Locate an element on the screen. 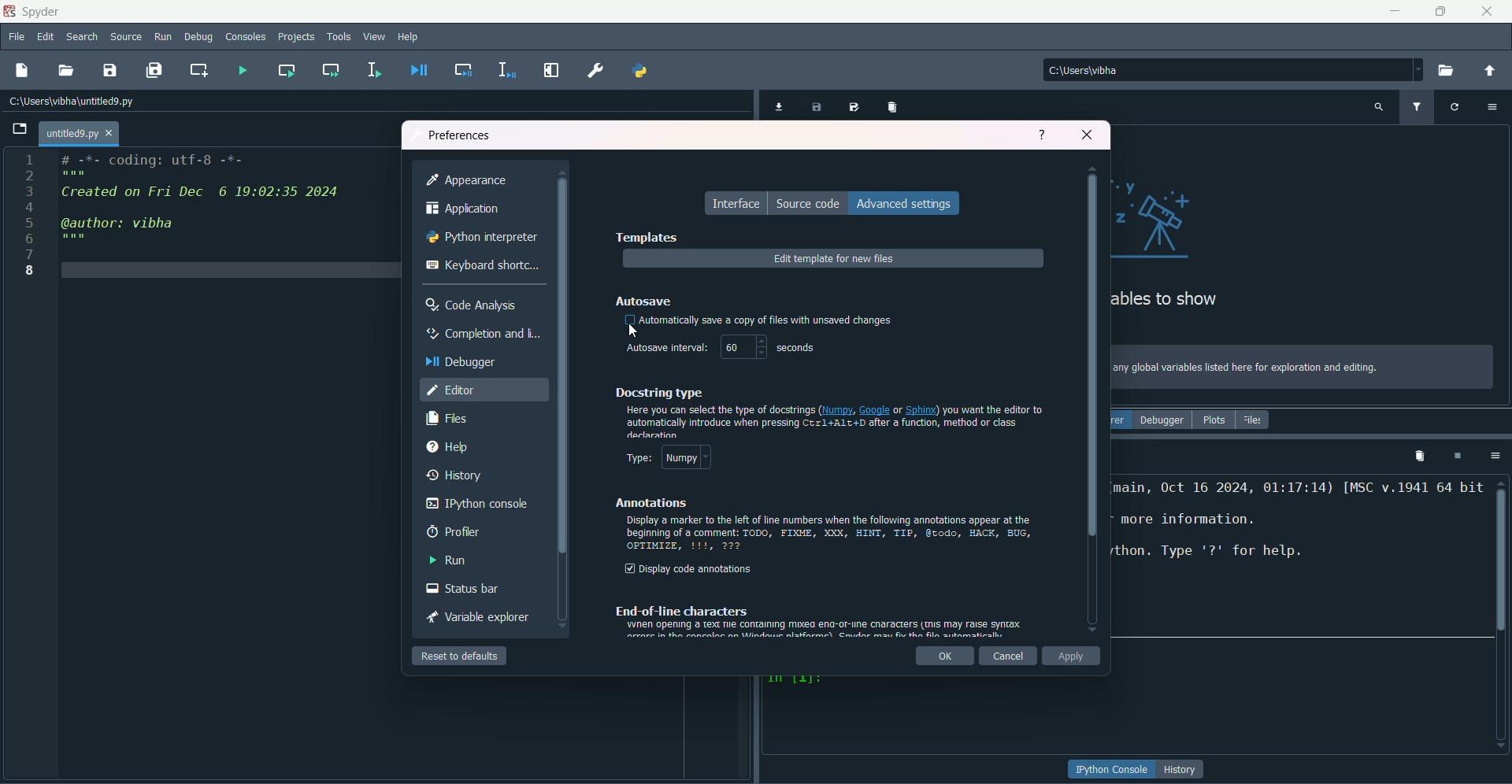  reset to default is located at coordinates (460, 655).